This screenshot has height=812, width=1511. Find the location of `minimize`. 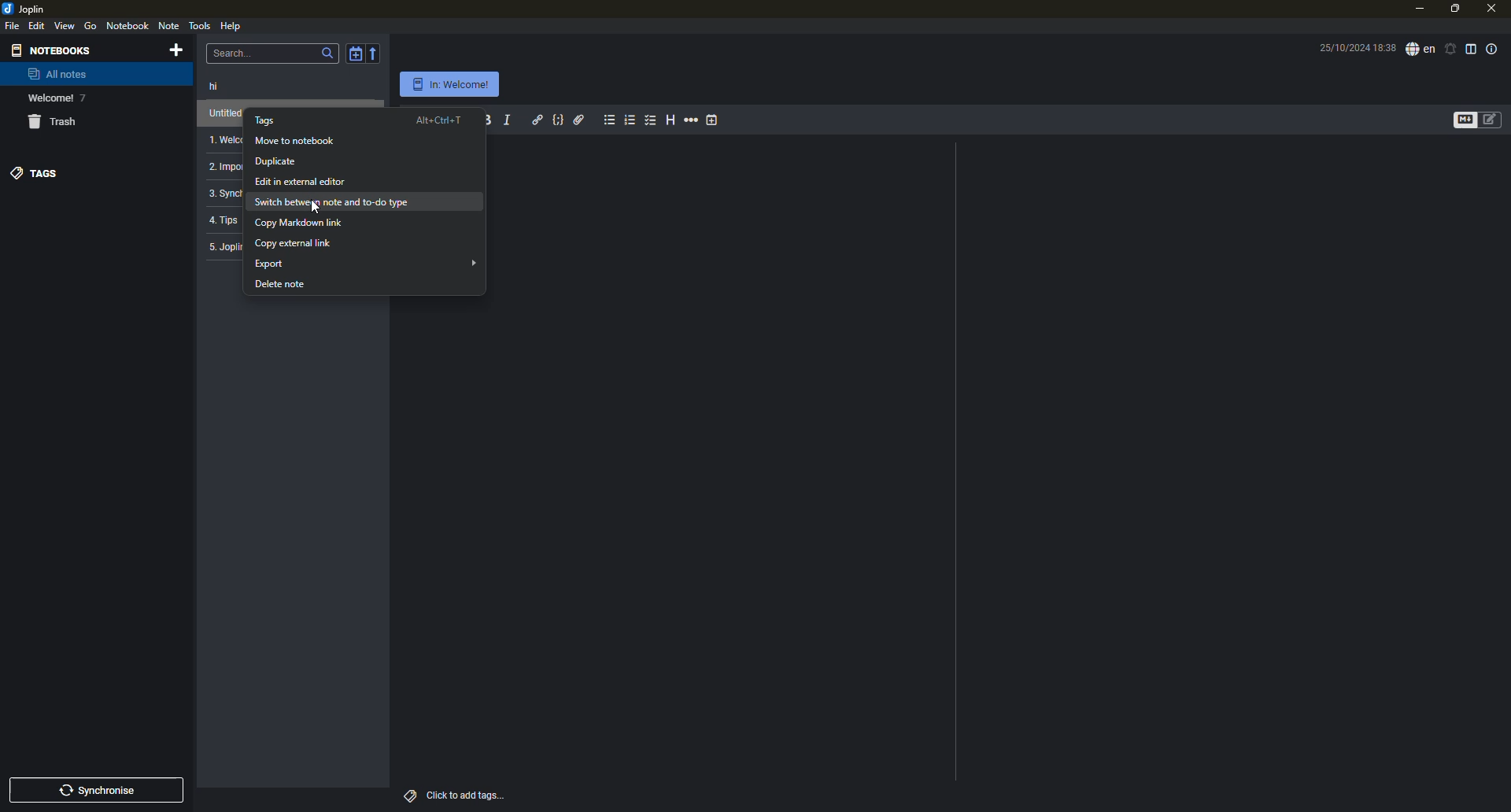

minimize is located at coordinates (1418, 9).